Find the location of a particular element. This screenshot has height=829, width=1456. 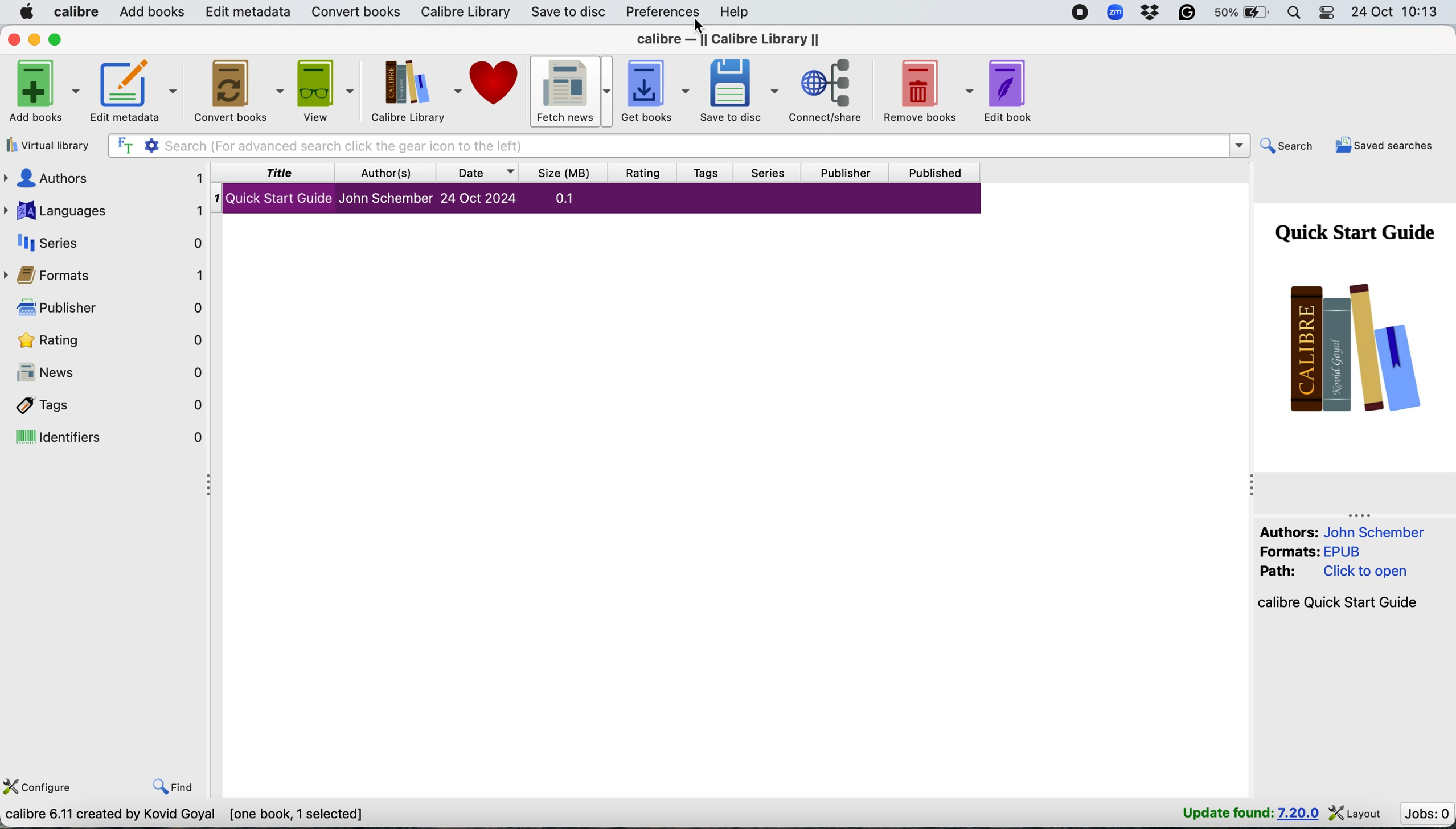

edit metadata is located at coordinates (247, 13).